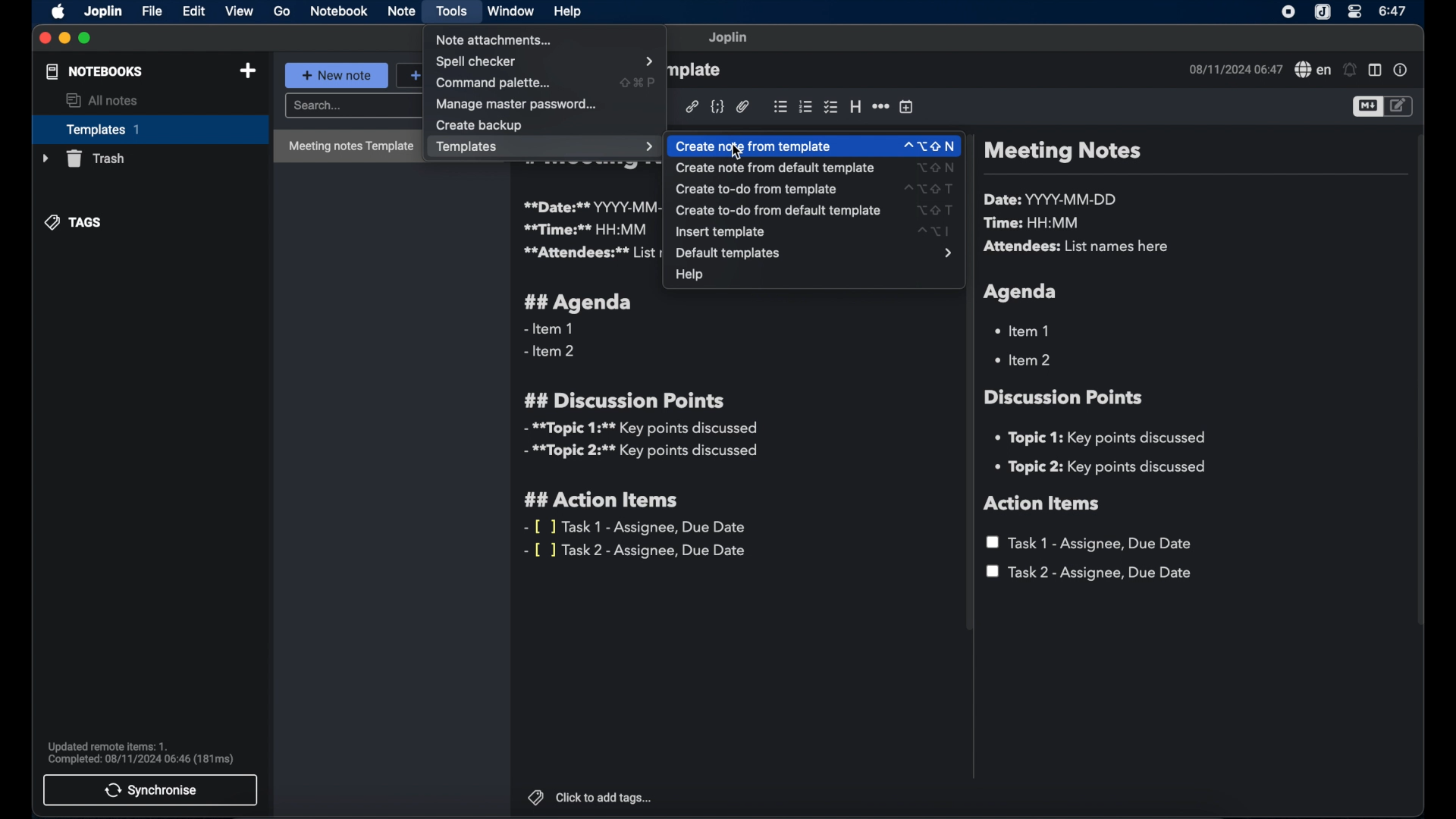  Describe the element at coordinates (240, 11) in the screenshot. I see `view` at that location.